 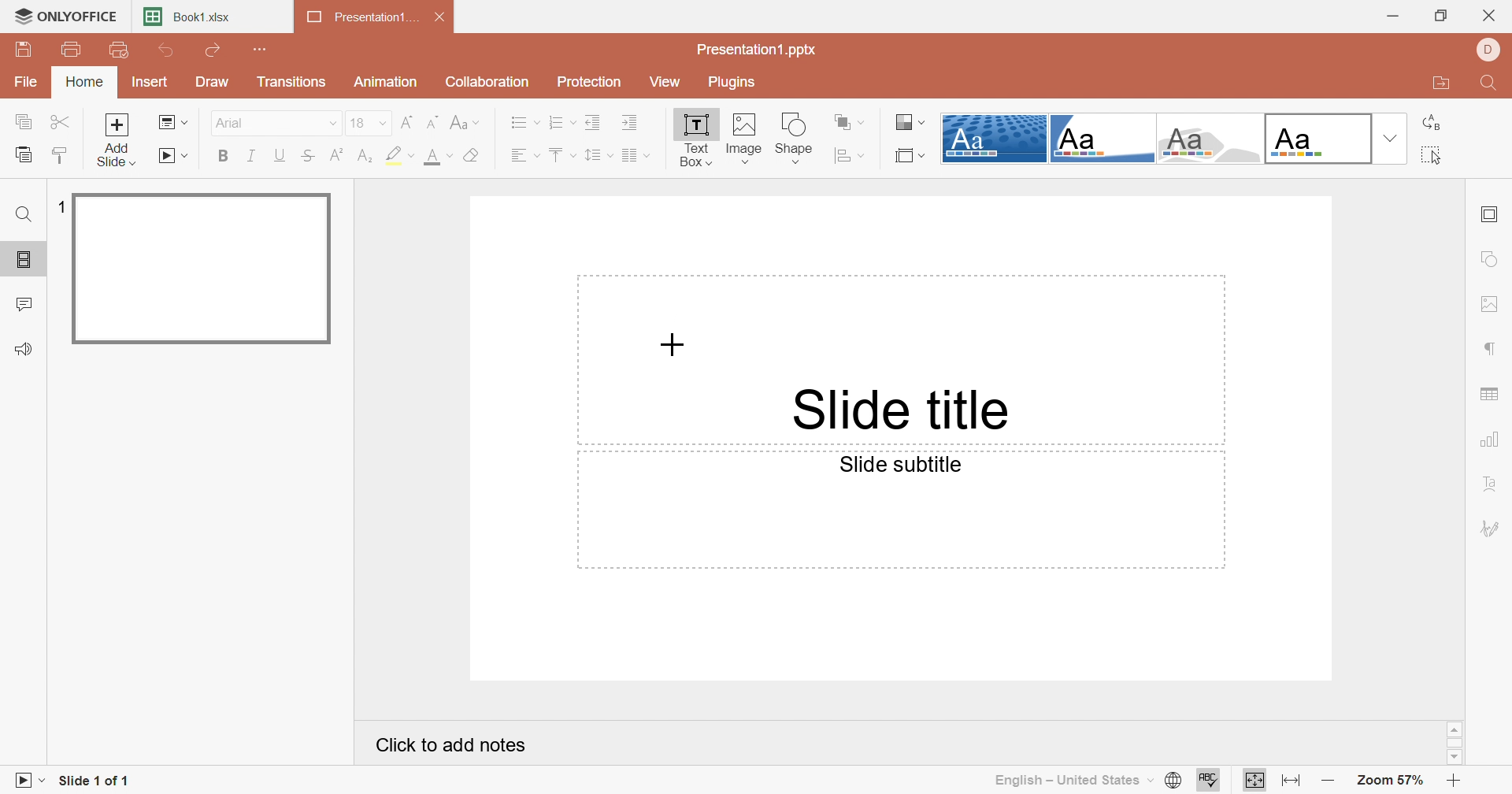 I want to click on Increment font size, so click(x=407, y=123).